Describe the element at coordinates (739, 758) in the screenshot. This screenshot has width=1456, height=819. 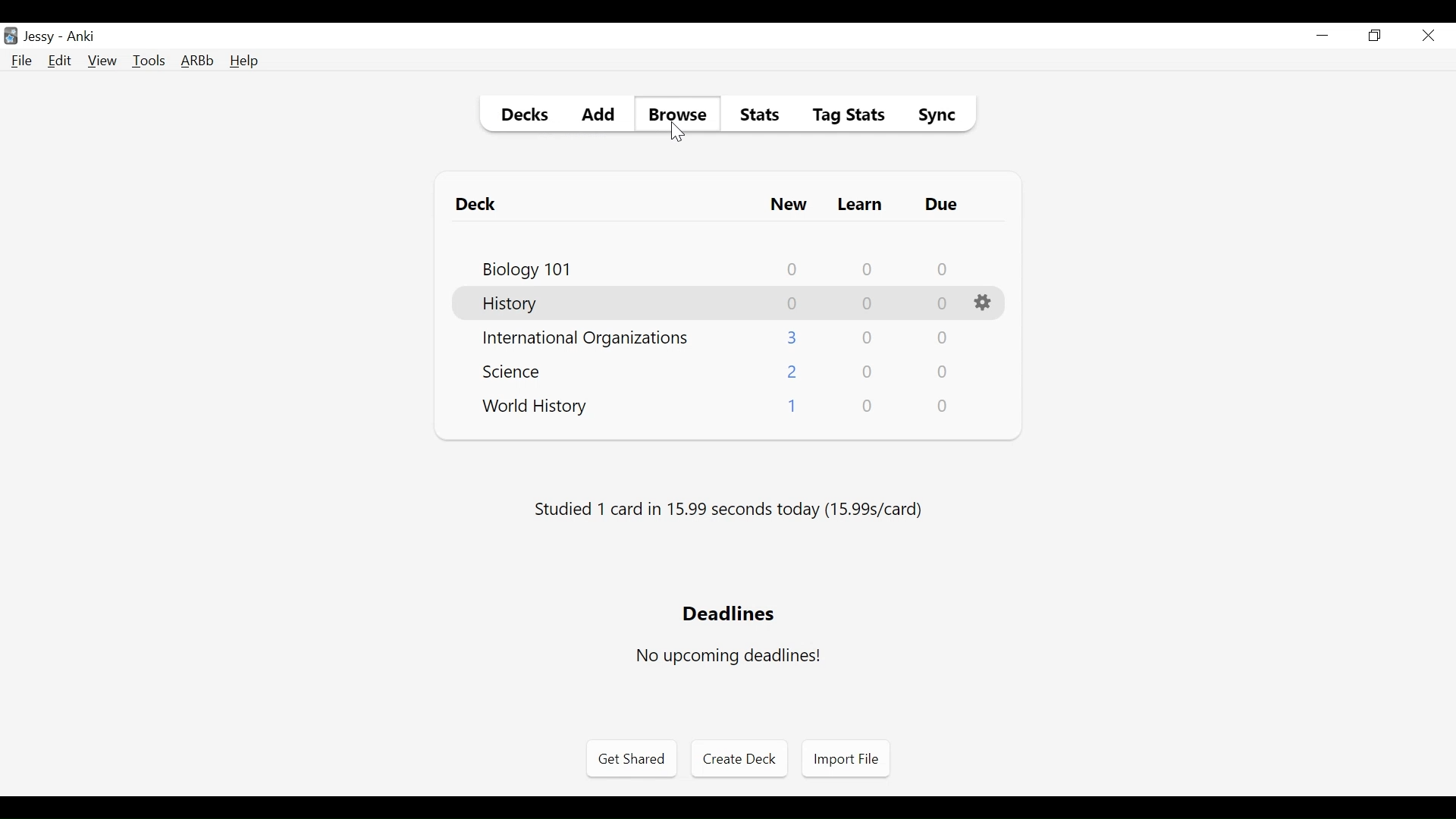
I see `Create Deck` at that location.